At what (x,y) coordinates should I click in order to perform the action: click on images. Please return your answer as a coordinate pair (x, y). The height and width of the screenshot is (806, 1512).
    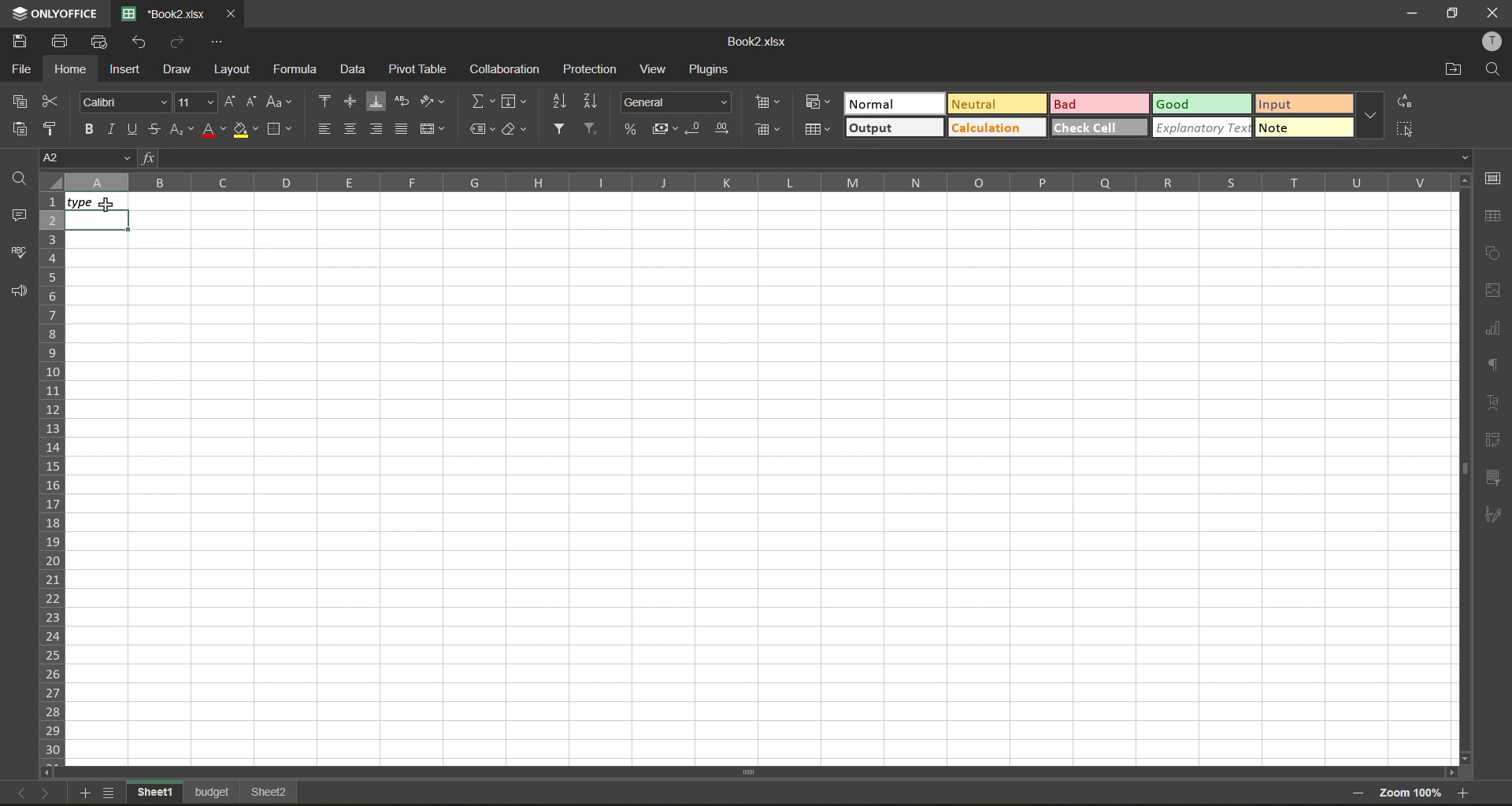
    Looking at the image, I should click on (1490, 290).